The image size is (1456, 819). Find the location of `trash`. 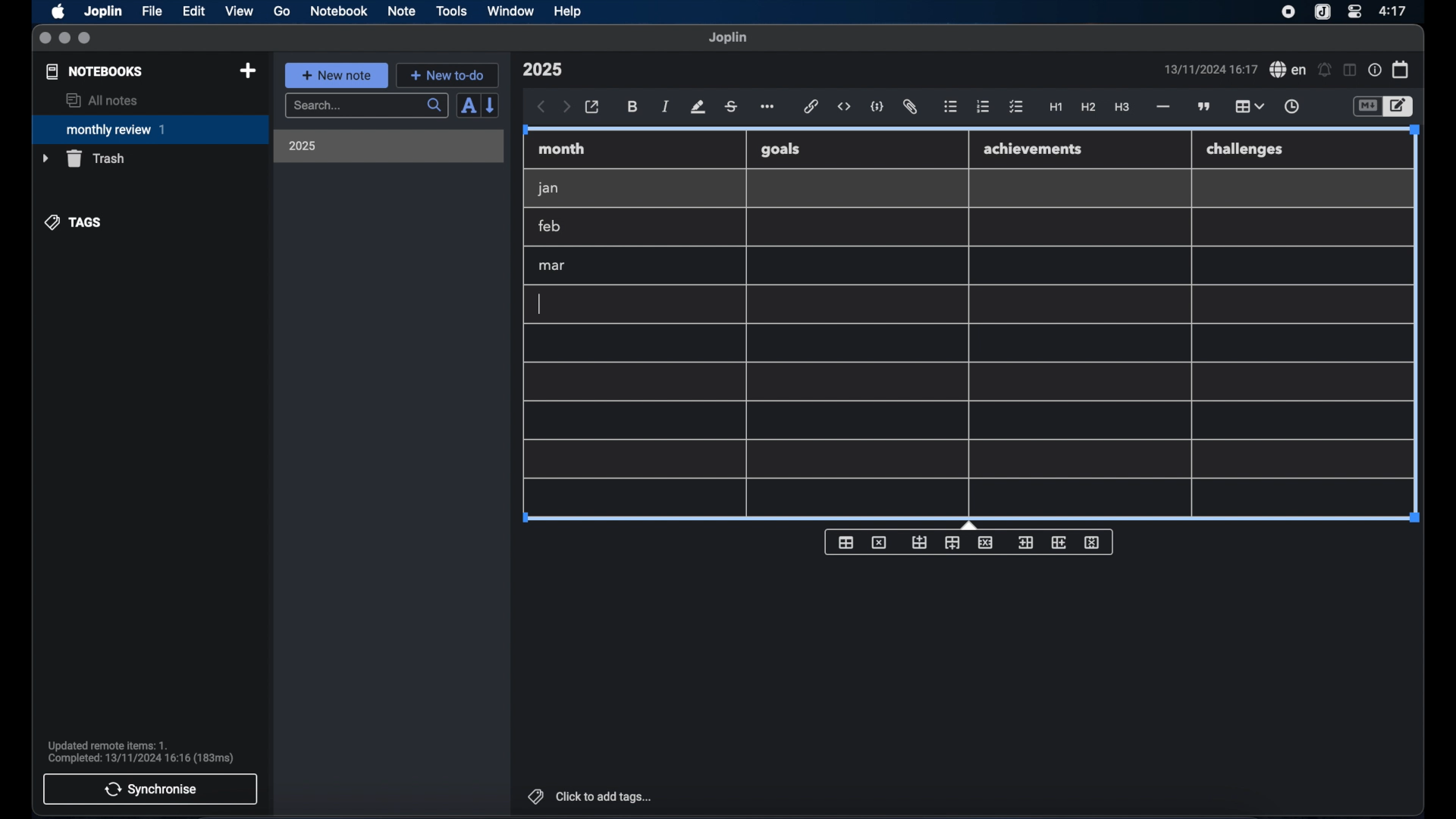

trash is located at coordinates (83, 158).